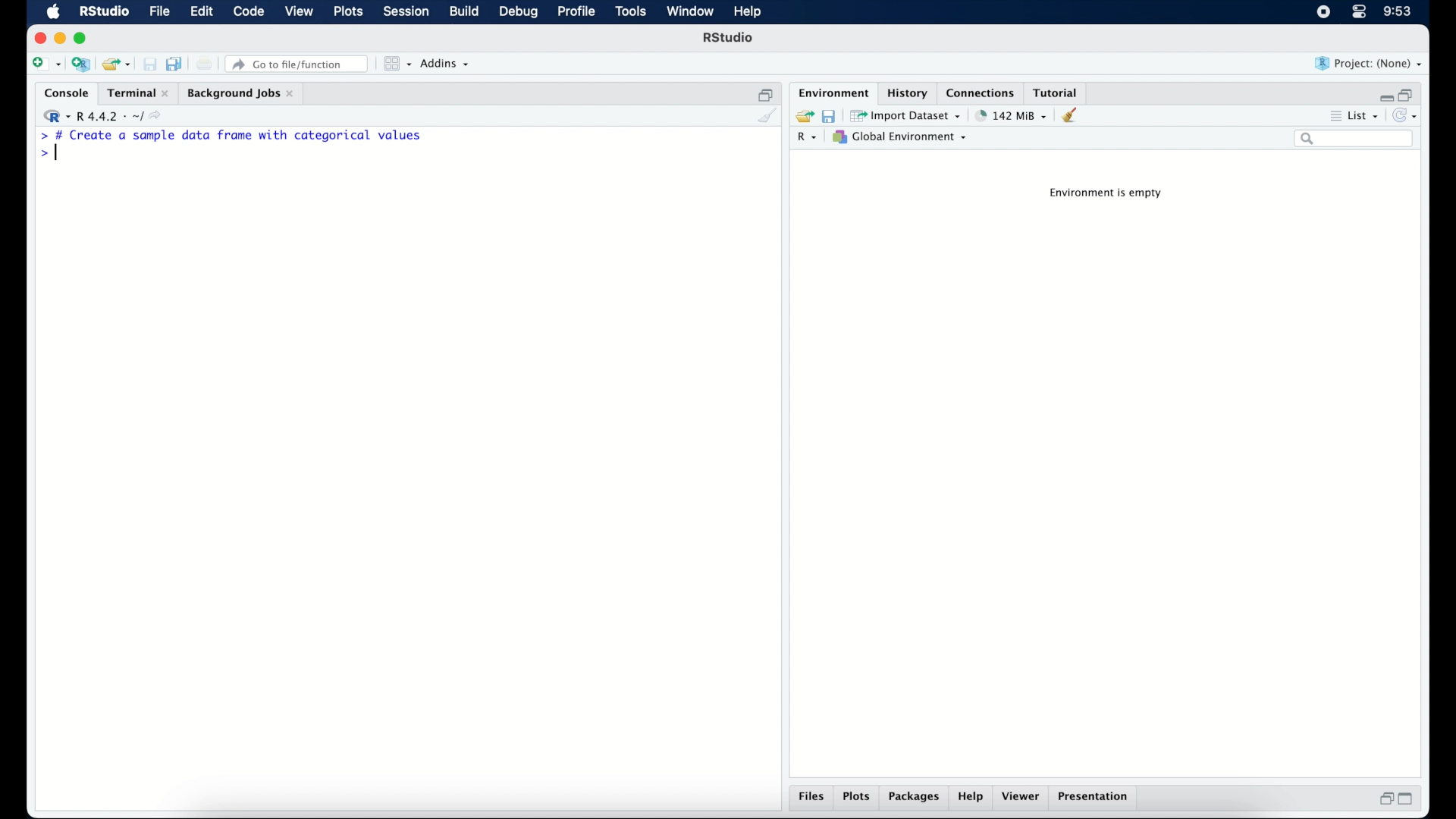 Image resolution: width=1456 pixels, height=819 pixels. What do you see at coordinates (857, 798) in the screenshot?
I see `plots` at bounding box center [857, 798].